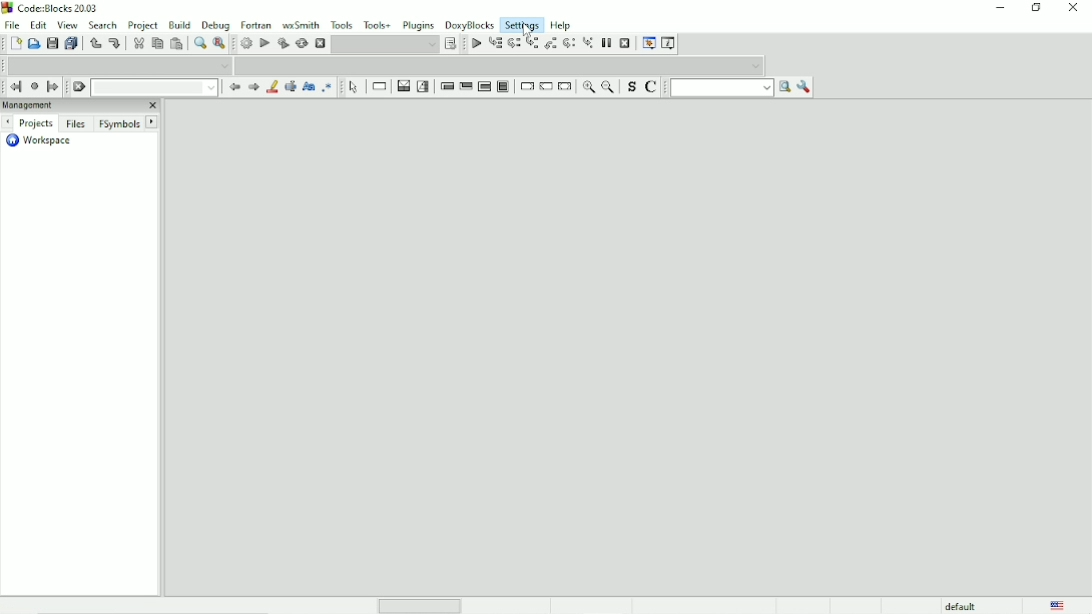 The height and width of the screenshot is (614, 1092). Describe the element at coordinates (804, 88) in the screenshot. I see `Show options window` at that location.